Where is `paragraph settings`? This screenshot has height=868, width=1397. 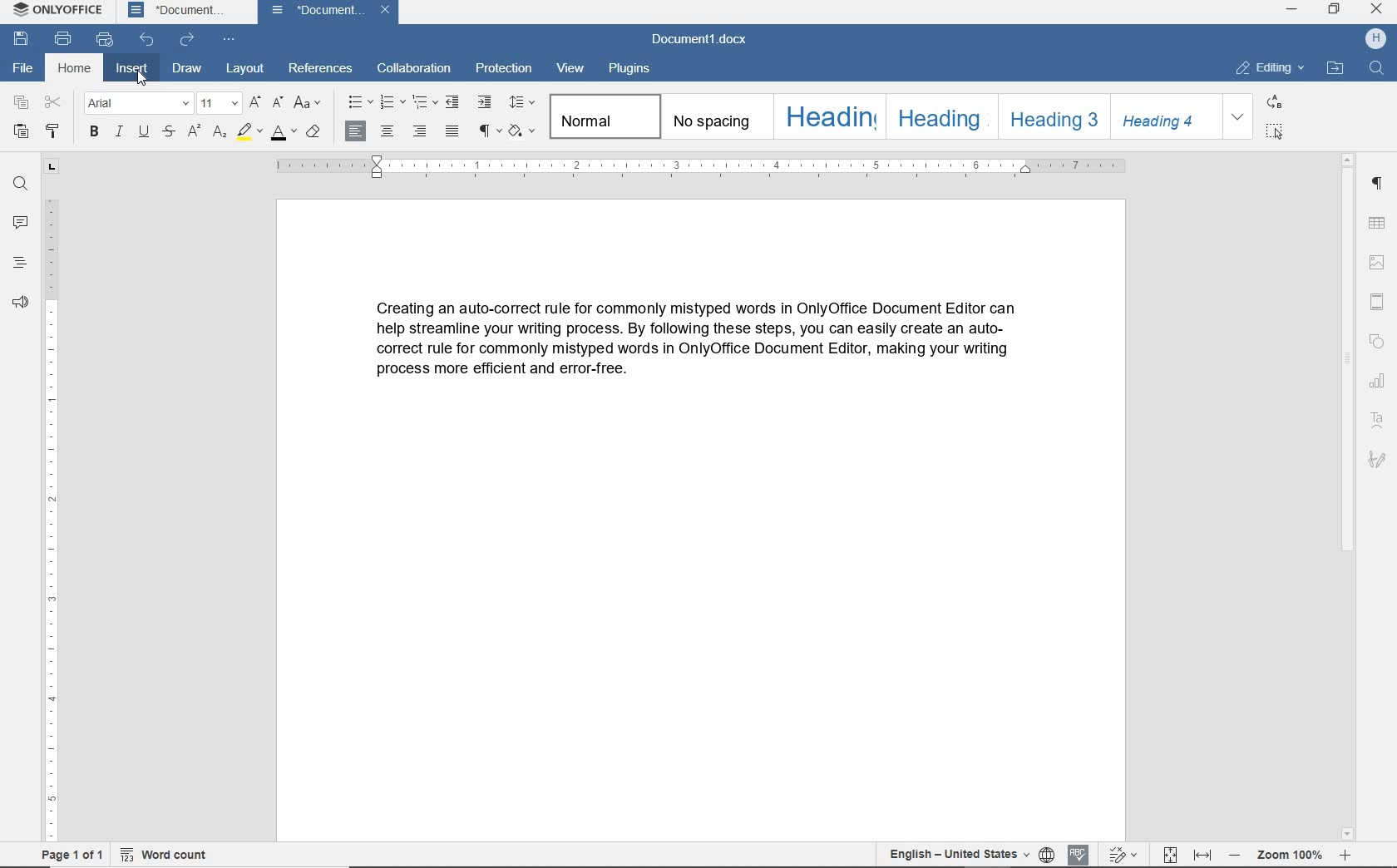
paragraph settings is located at coordinates (1379, 184).